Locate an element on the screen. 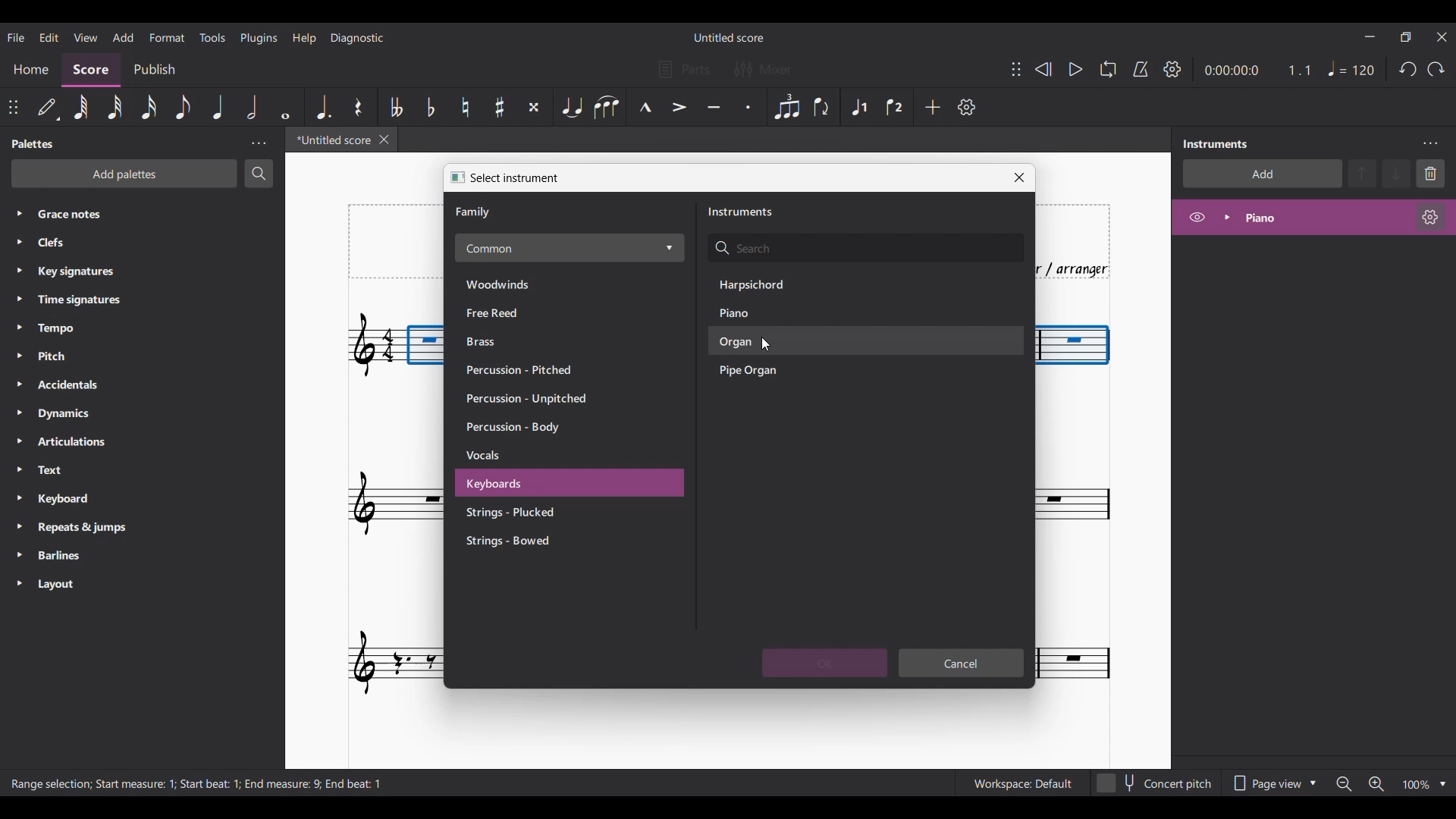 The image size is (1456, 819). Harpsichord is located at coordinates (767, 284).